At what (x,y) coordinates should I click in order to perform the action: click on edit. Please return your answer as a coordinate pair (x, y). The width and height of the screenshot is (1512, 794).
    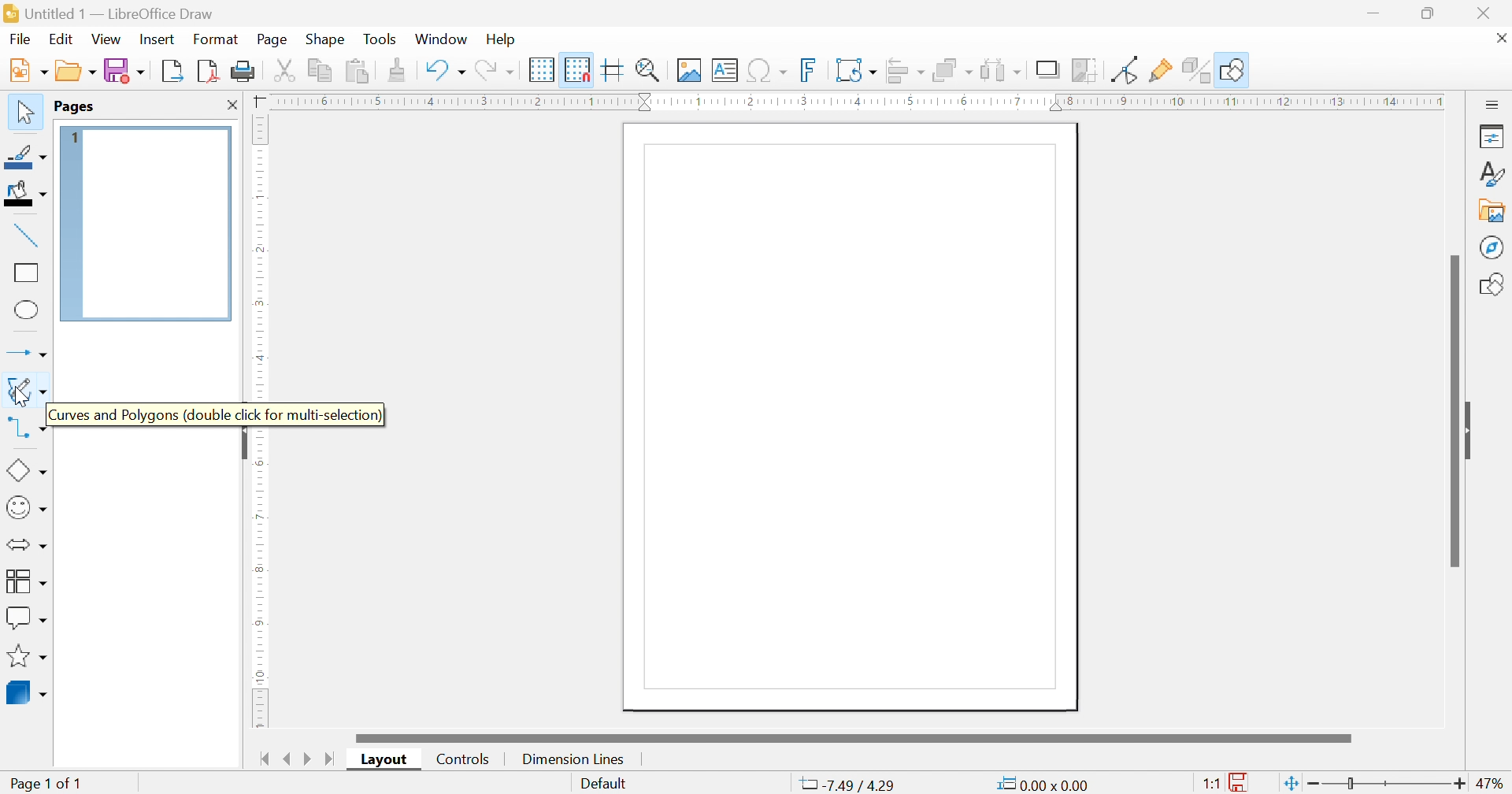
    Looking at the image, I should click on (61, 37).